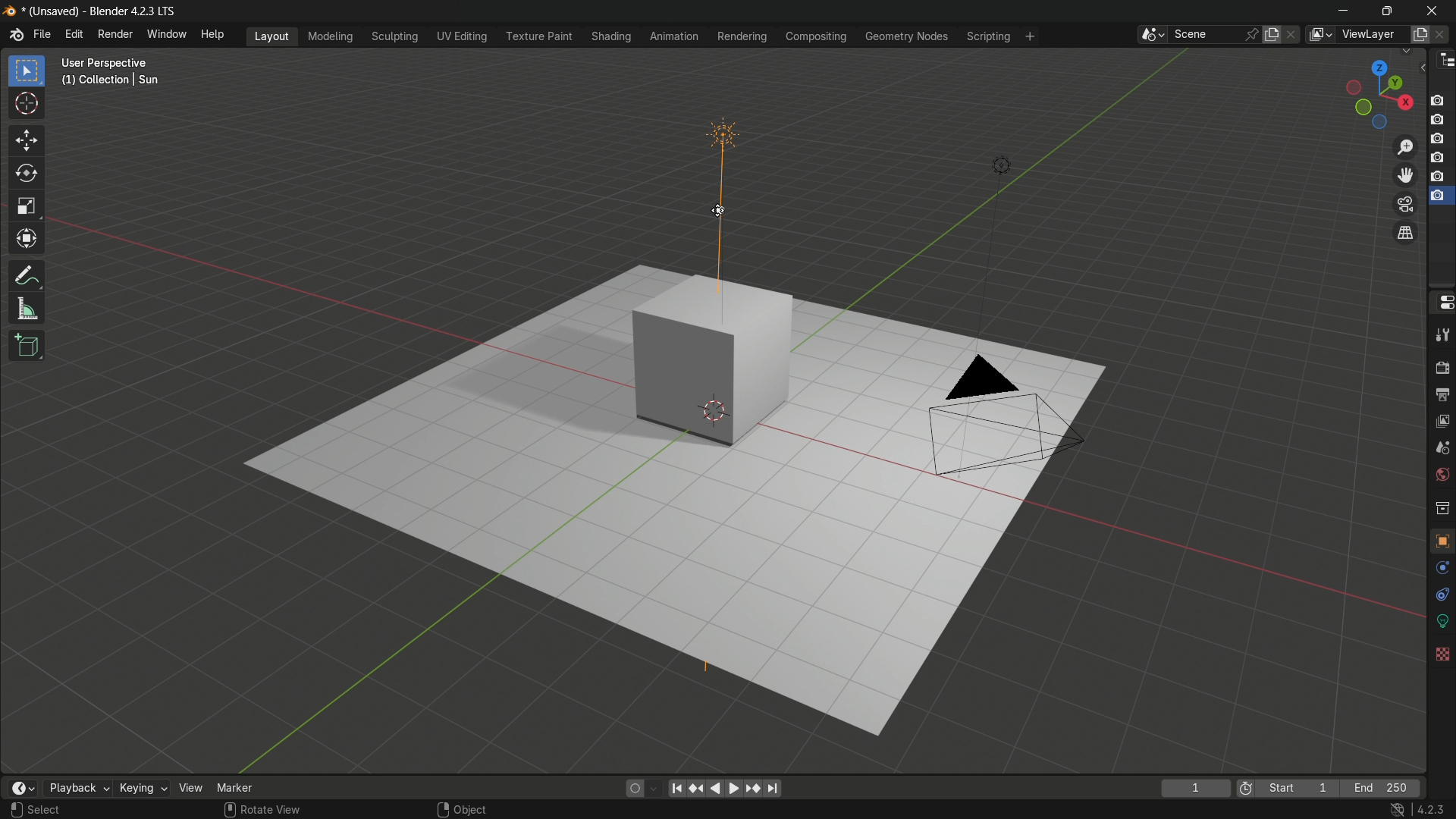  What do you see at coordinates (673, 36) in the screenshot?
I see `animation` at bounding box center [673, 36].